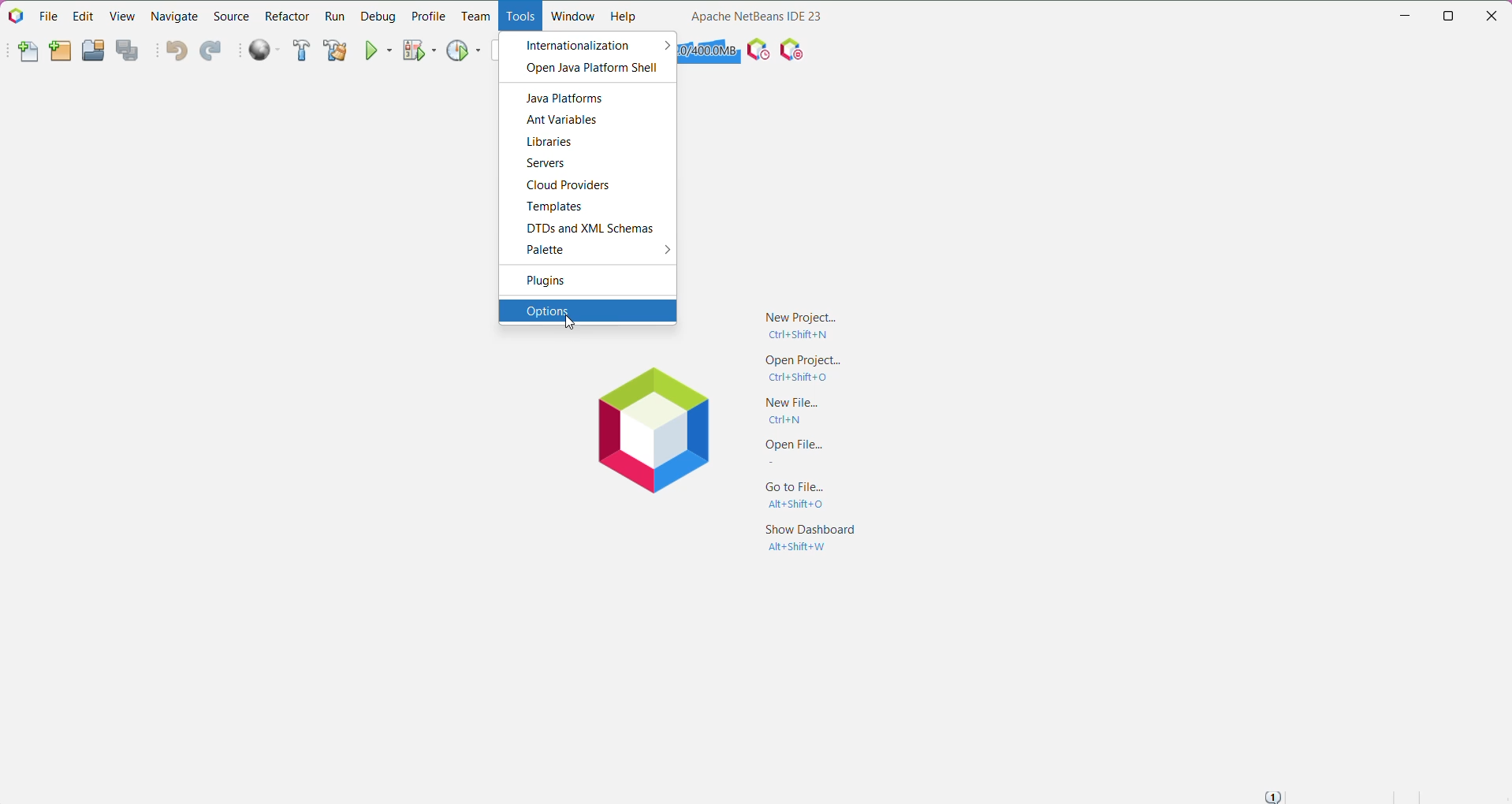 This screenshot has width=1512, height=804. What do you see at coordinates (420, 50) in the screenshot?
I see `Debug Project` at bounding box center [420, 50].